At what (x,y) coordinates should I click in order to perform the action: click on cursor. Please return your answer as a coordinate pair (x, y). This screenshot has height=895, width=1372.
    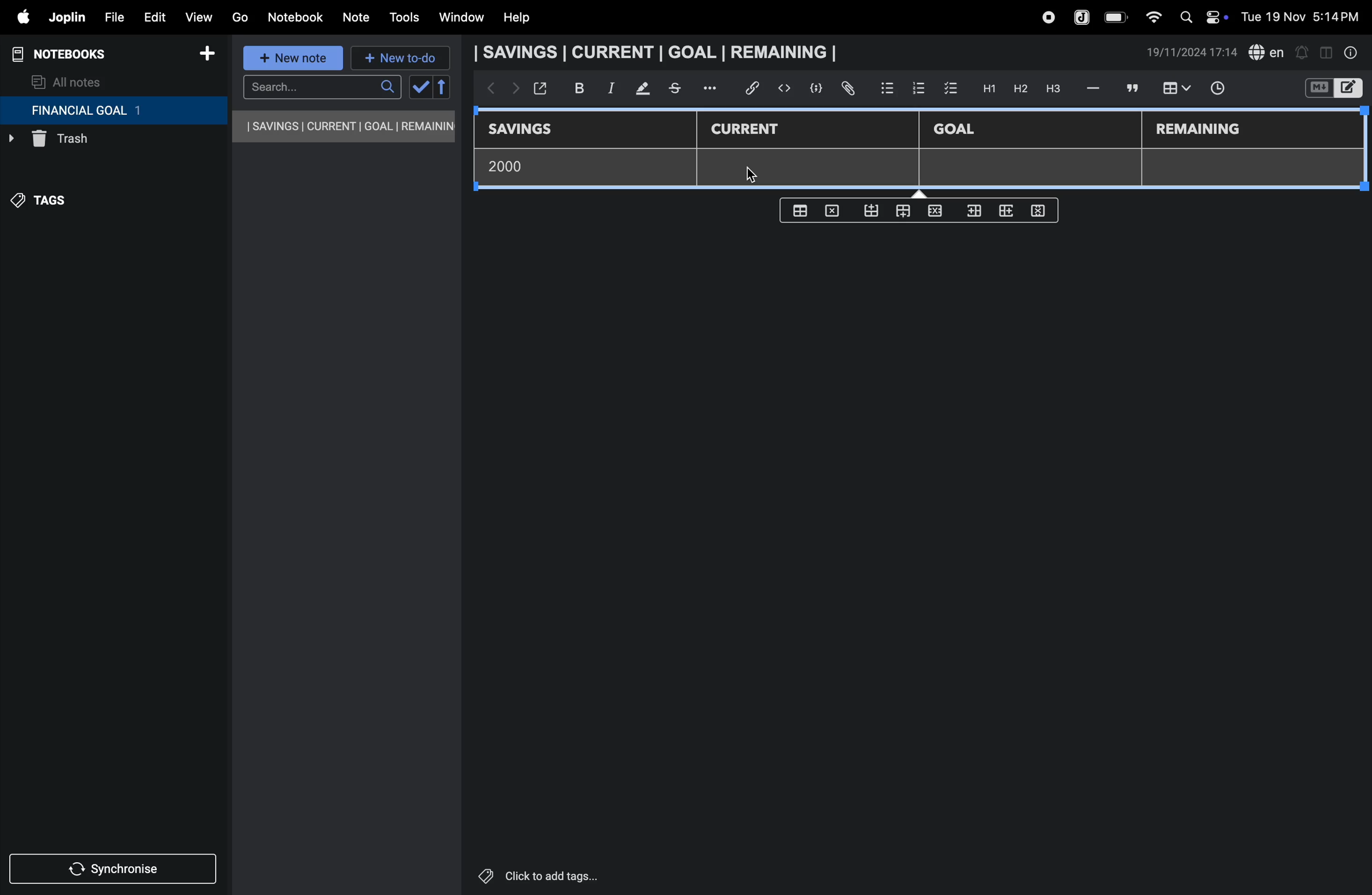
    Looking at the image, I should click on (747, 175).